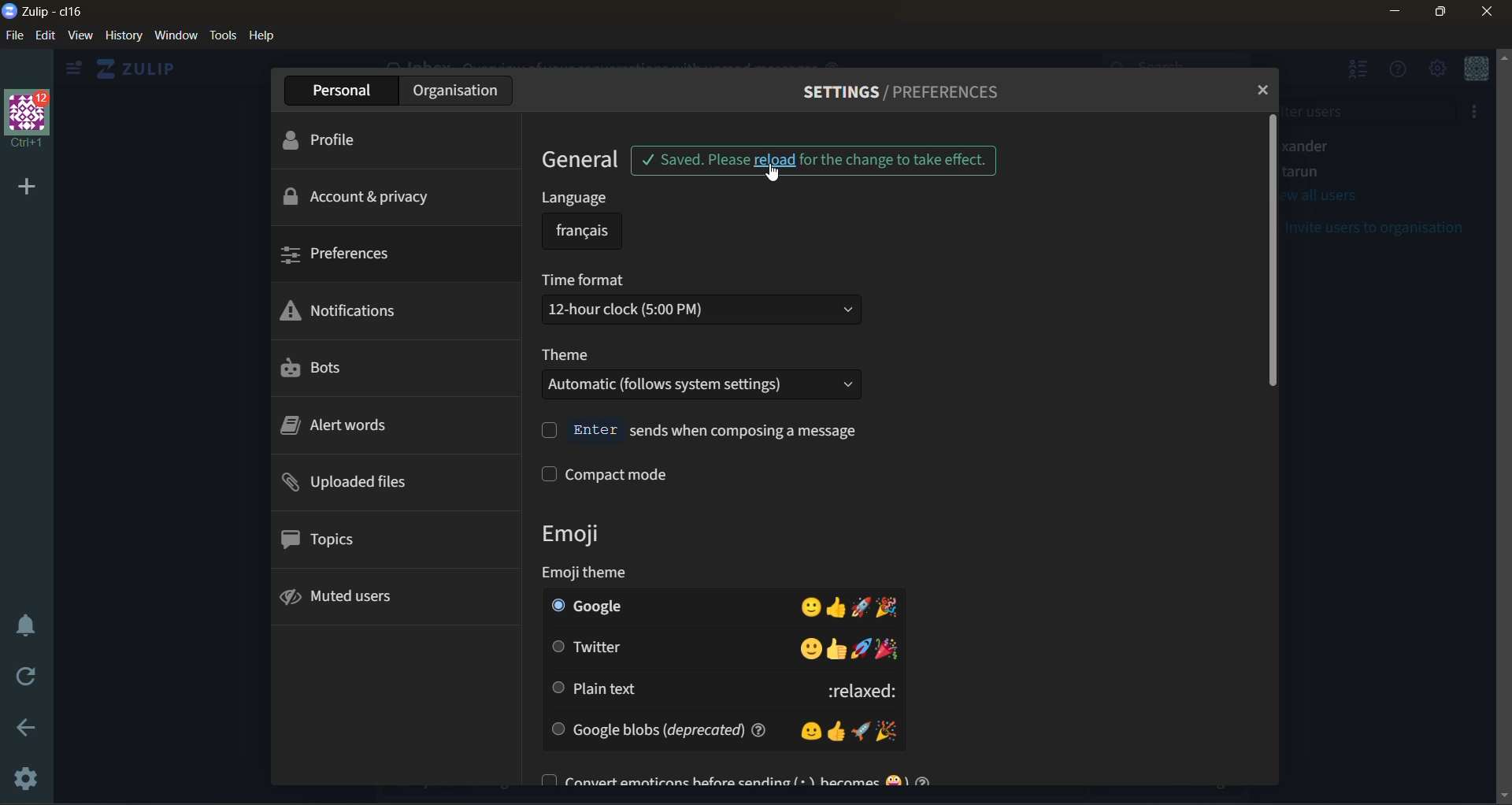 The image size is (1512, 805). I want to click on settings, so click(28, 776).